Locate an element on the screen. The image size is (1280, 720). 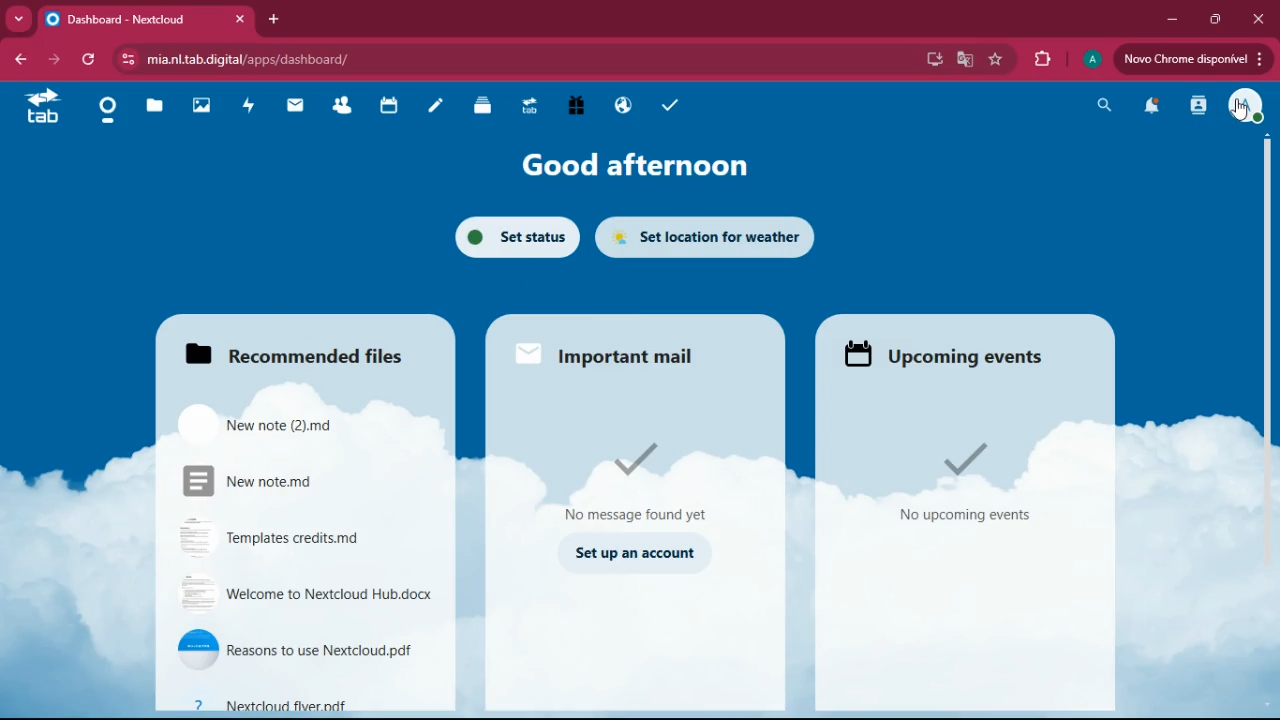
close is located at coordinates (1259, 20).